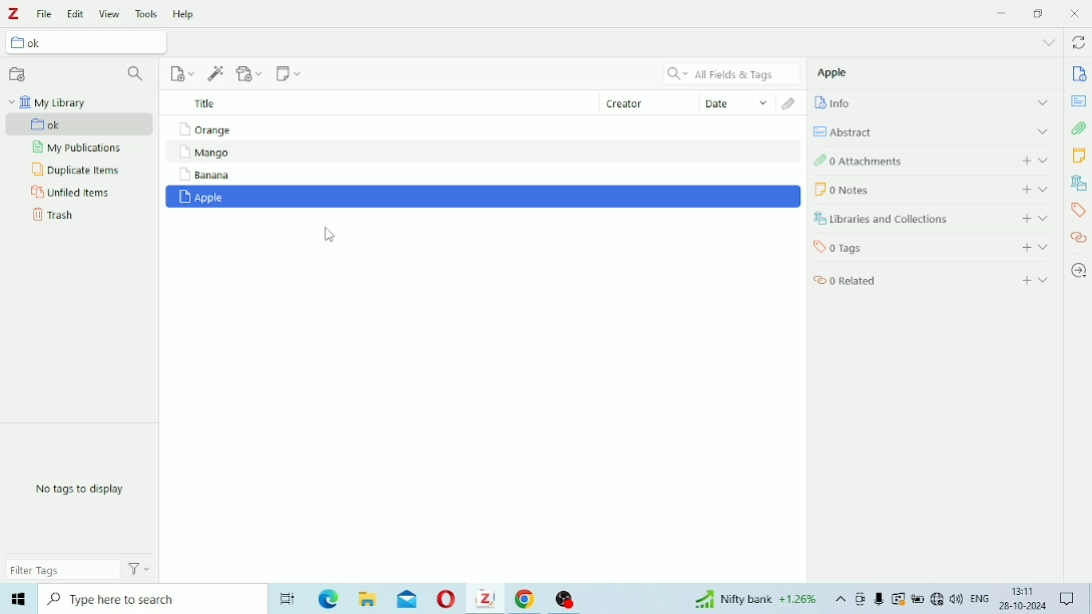 Image resolution: width=1092 pixels, height=614 pixels. Describe the element at coordinates (482, 128) in the screenshot. I see `Orange` at that location.